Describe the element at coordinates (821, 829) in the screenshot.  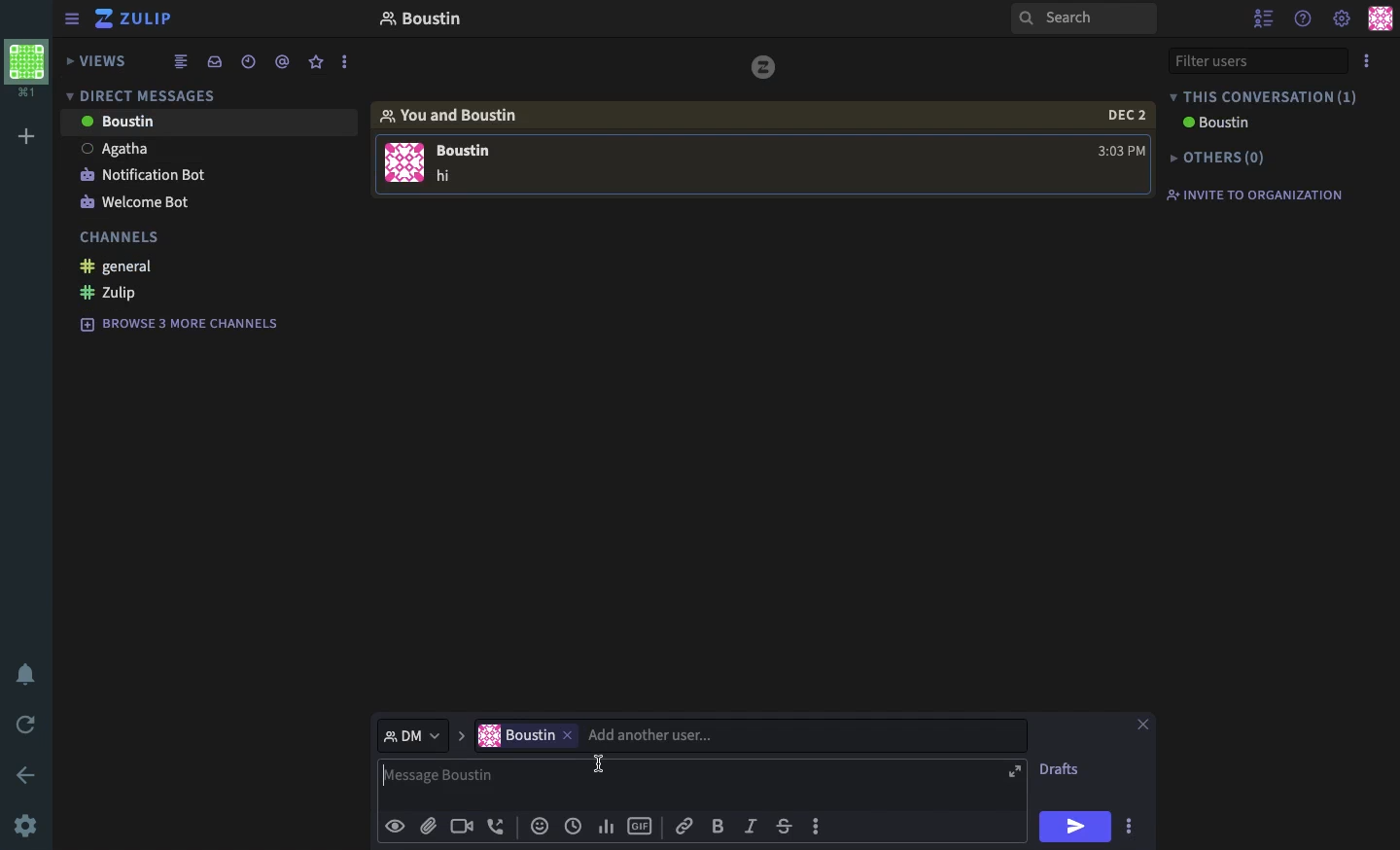
I see `options` at that location.